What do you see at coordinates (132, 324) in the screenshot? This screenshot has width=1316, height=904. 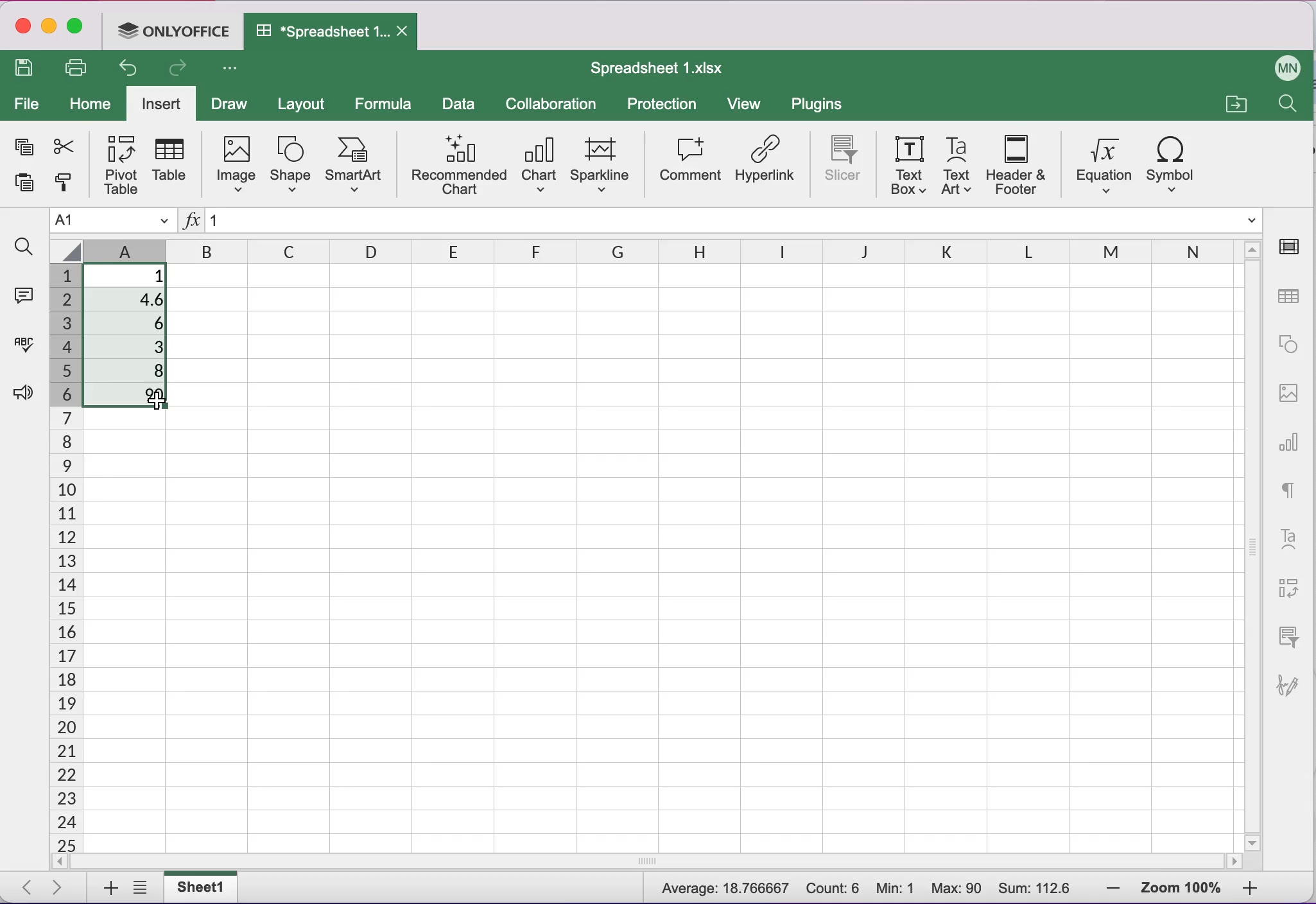 I see `6` at bounding box center [132, 324].